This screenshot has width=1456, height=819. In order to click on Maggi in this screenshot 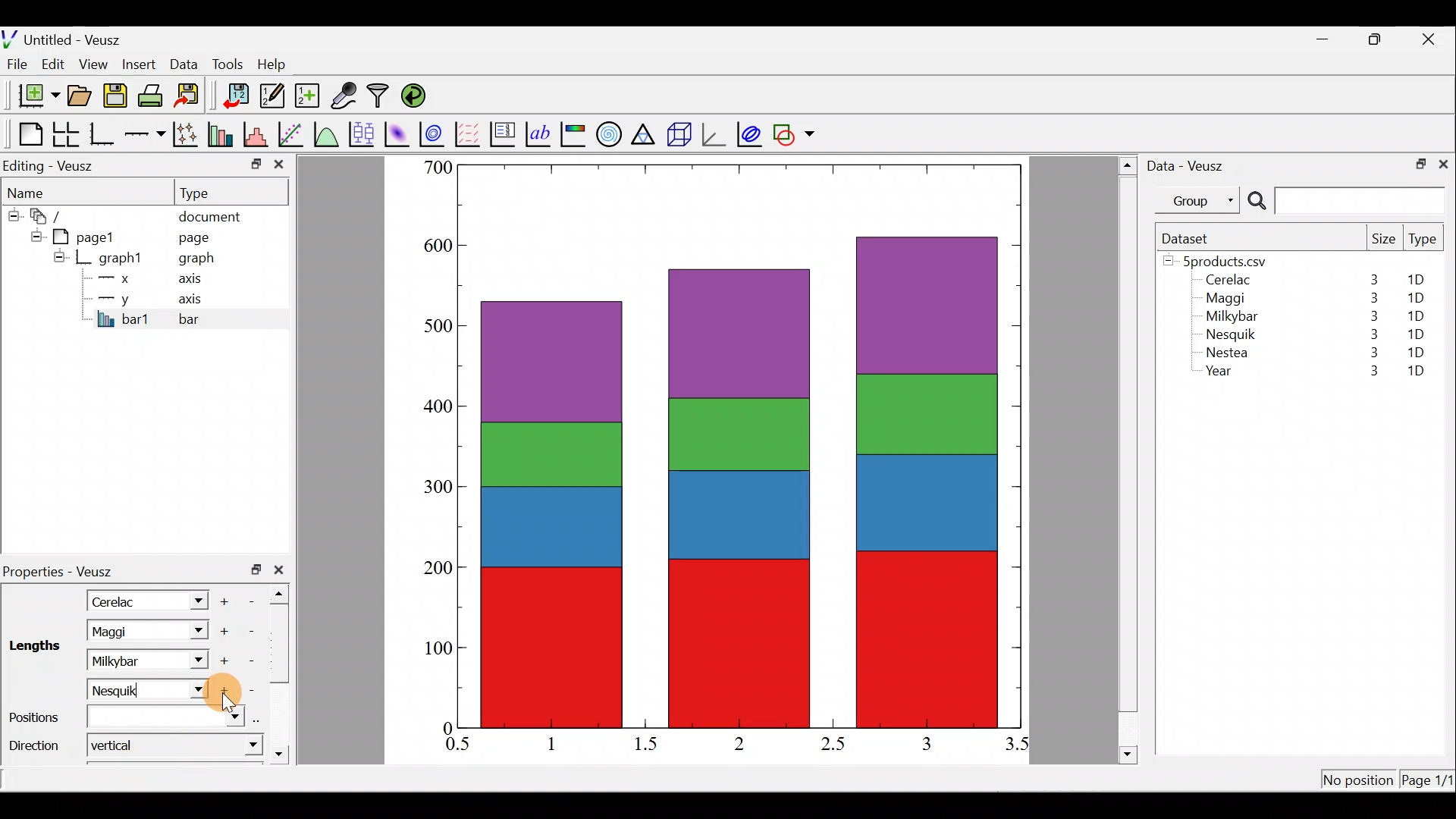, I will do `click(127, 631)`.